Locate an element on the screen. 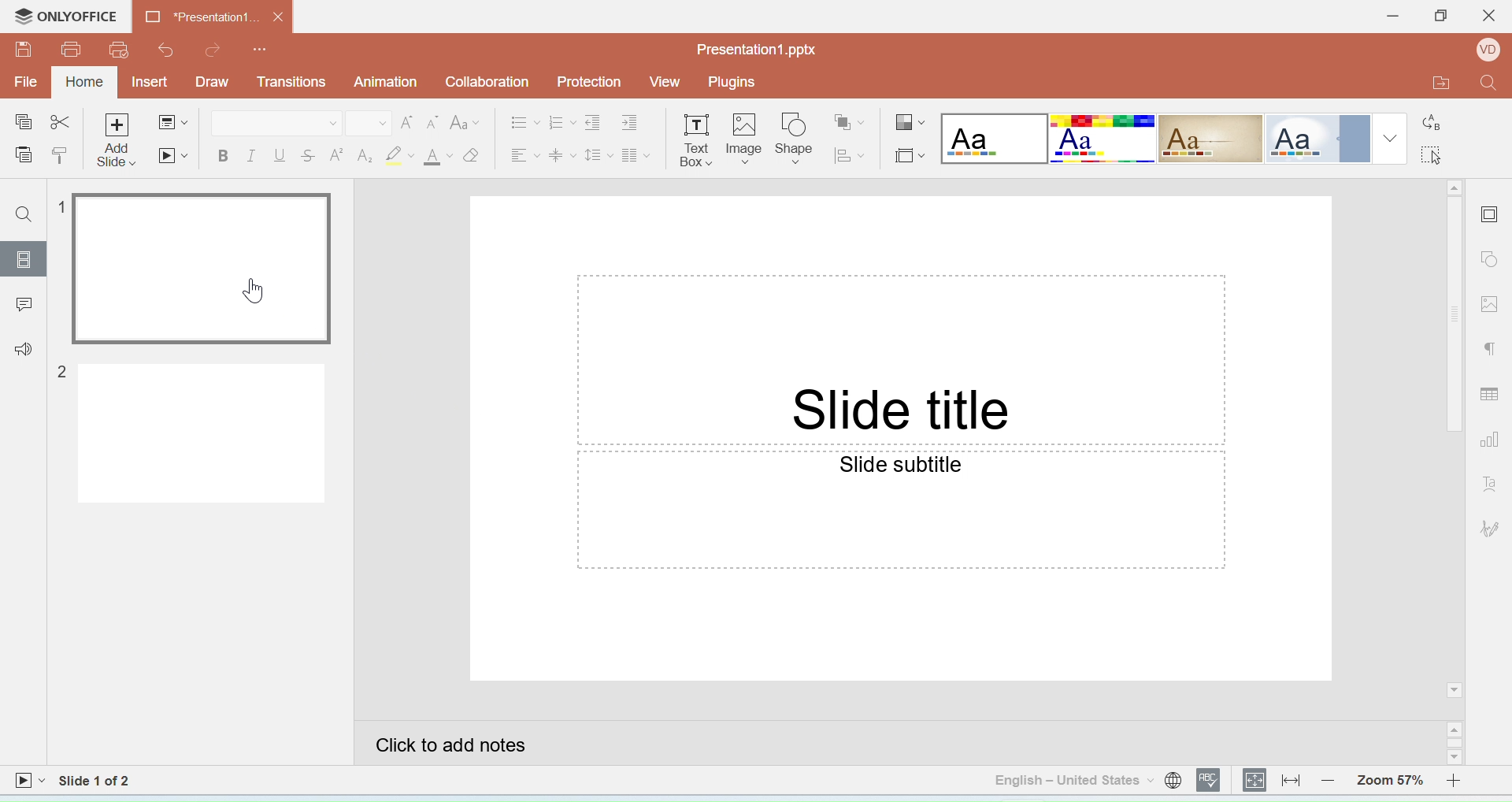 Image resolution: width=1512 pixels, height=802 pixels. Scroll bar is located at coordinates (1457, 744).